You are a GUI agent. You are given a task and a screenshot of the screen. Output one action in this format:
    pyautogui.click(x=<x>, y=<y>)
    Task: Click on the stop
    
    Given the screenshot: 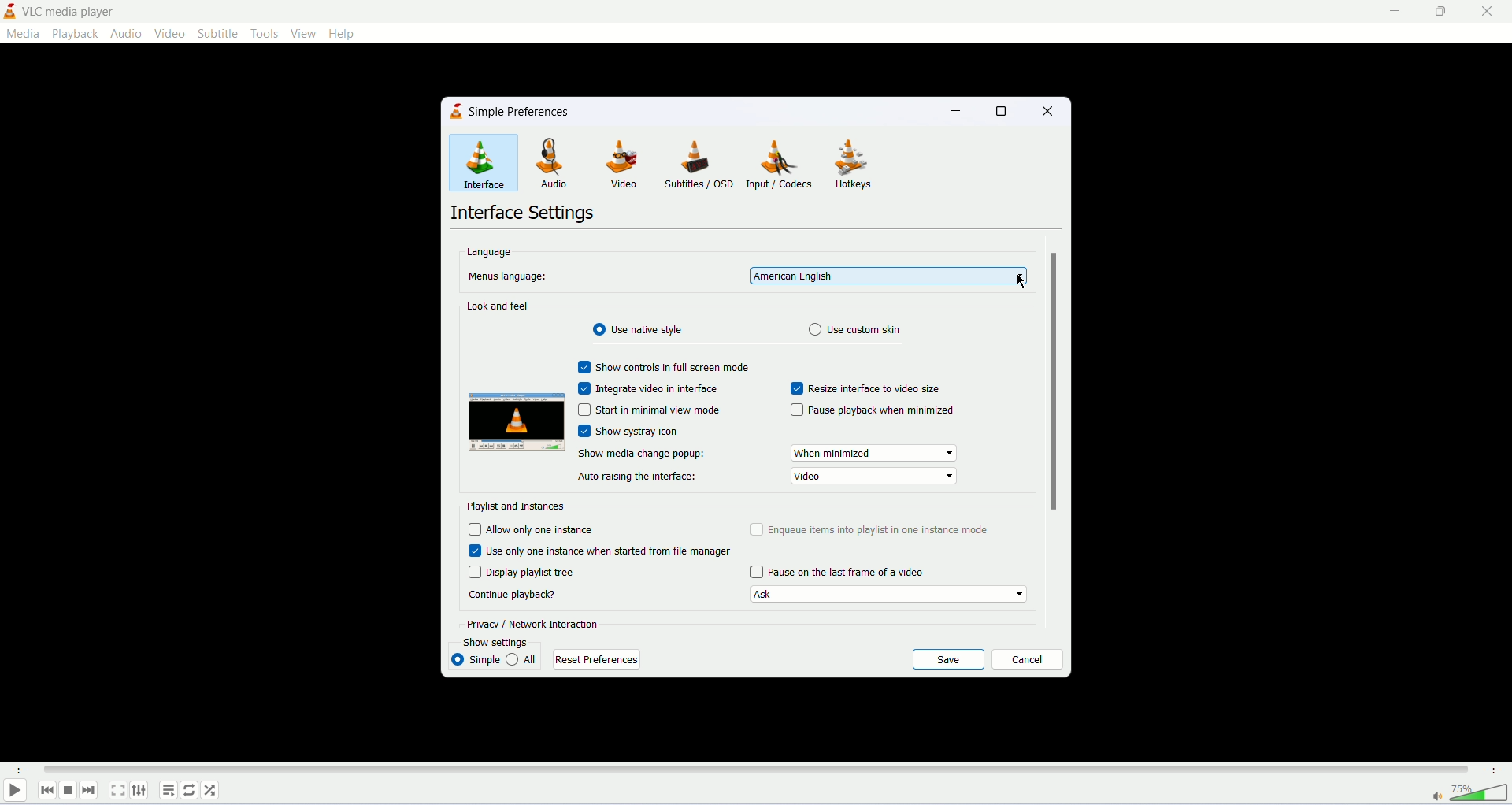 What is the action you would take?
    pyautogui.click(x=68, y=792)
    